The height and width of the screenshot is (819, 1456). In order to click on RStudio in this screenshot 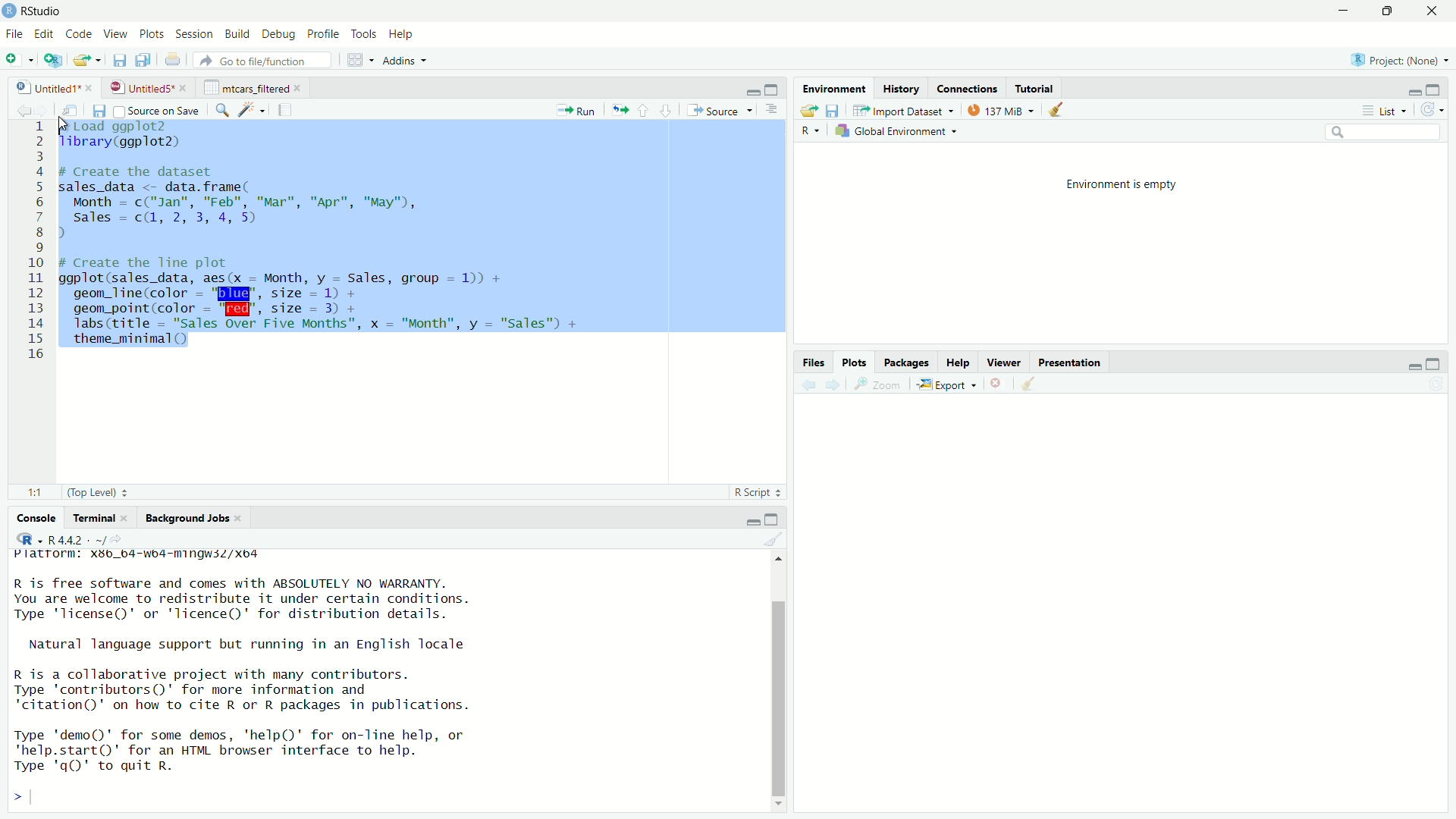, I will do `click(44, 11)`.